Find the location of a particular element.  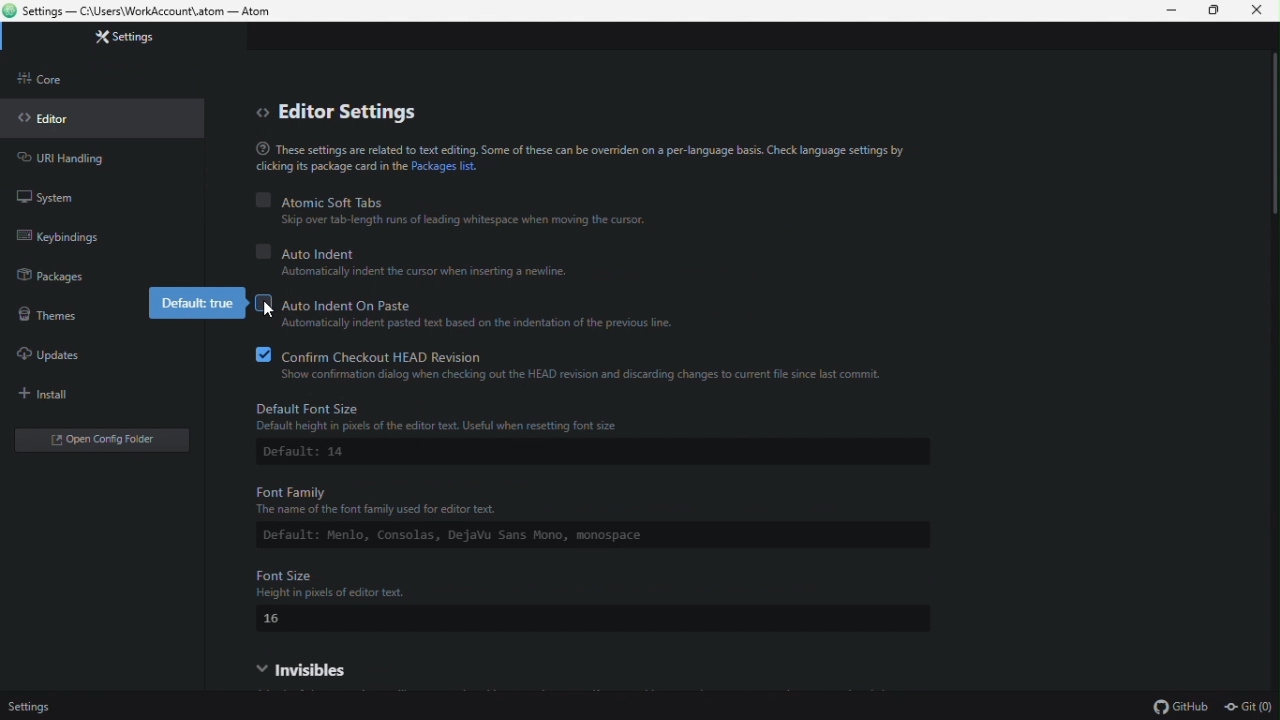

Invisible  is located at coordinates (329, 669).